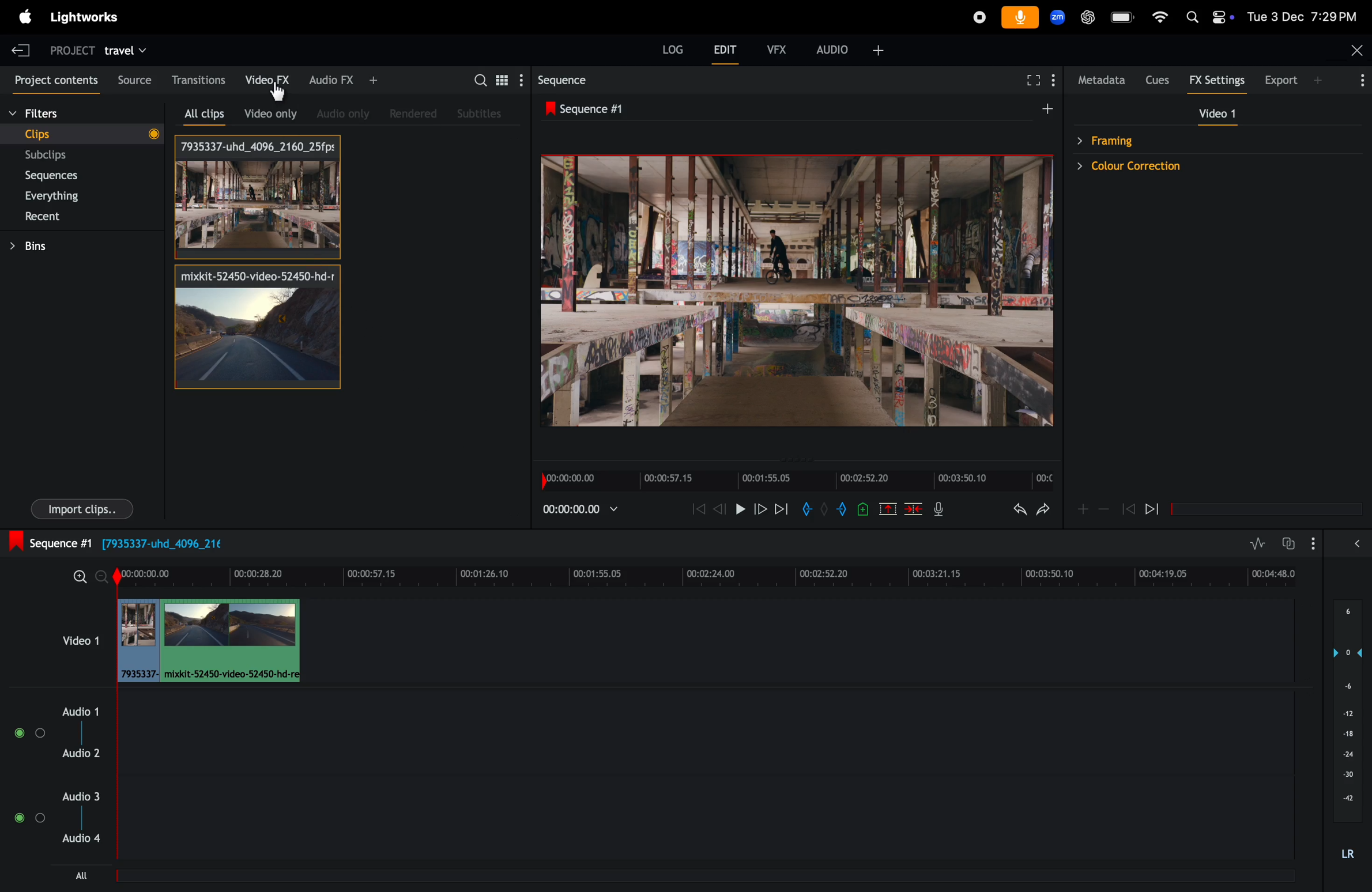 This screenshot has height=892, width=1372. Describe the element at coordinates (78, 639) in the screenshot. I see `video 1` at that location.